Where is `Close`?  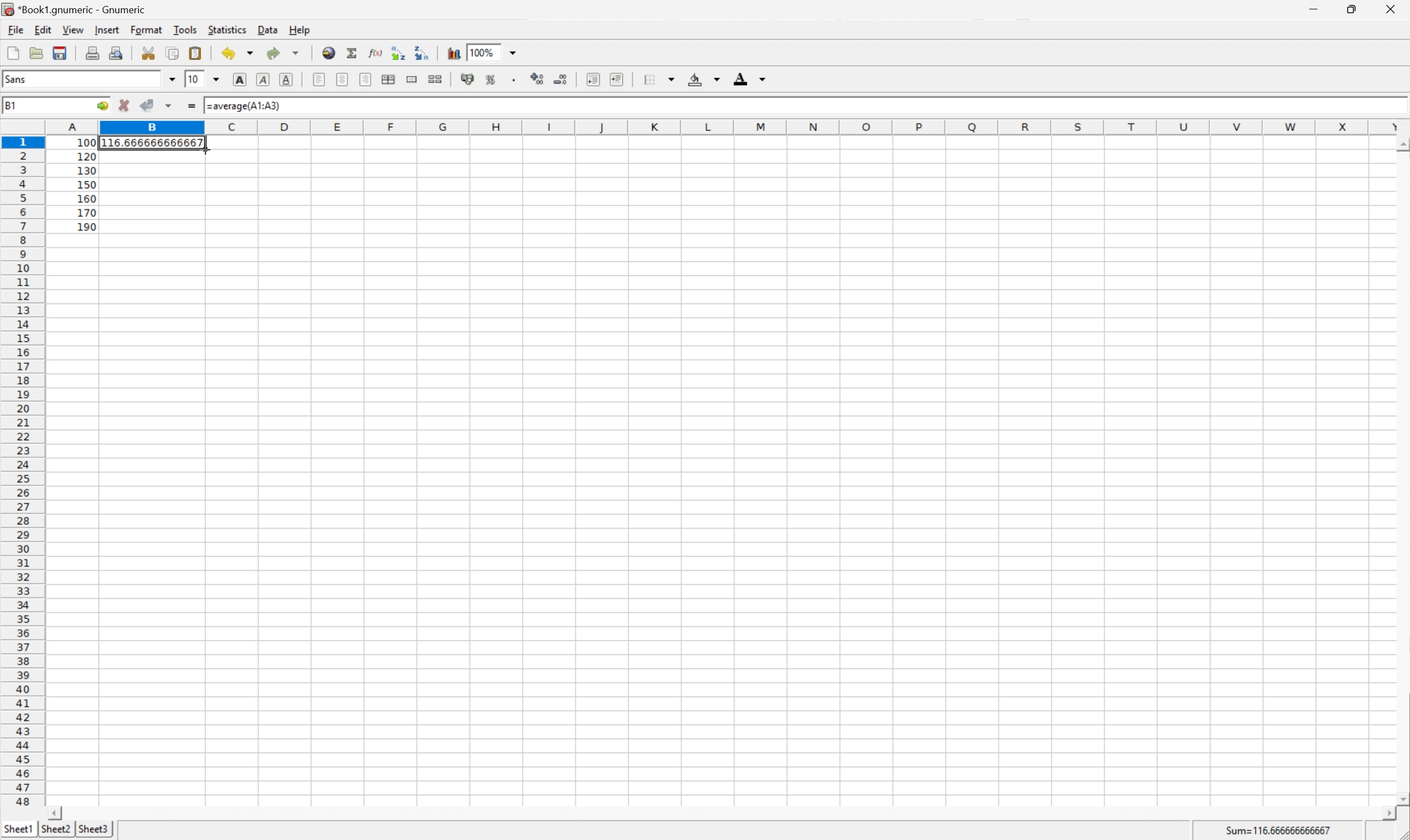
Close is located at coordinates (1390, 11).